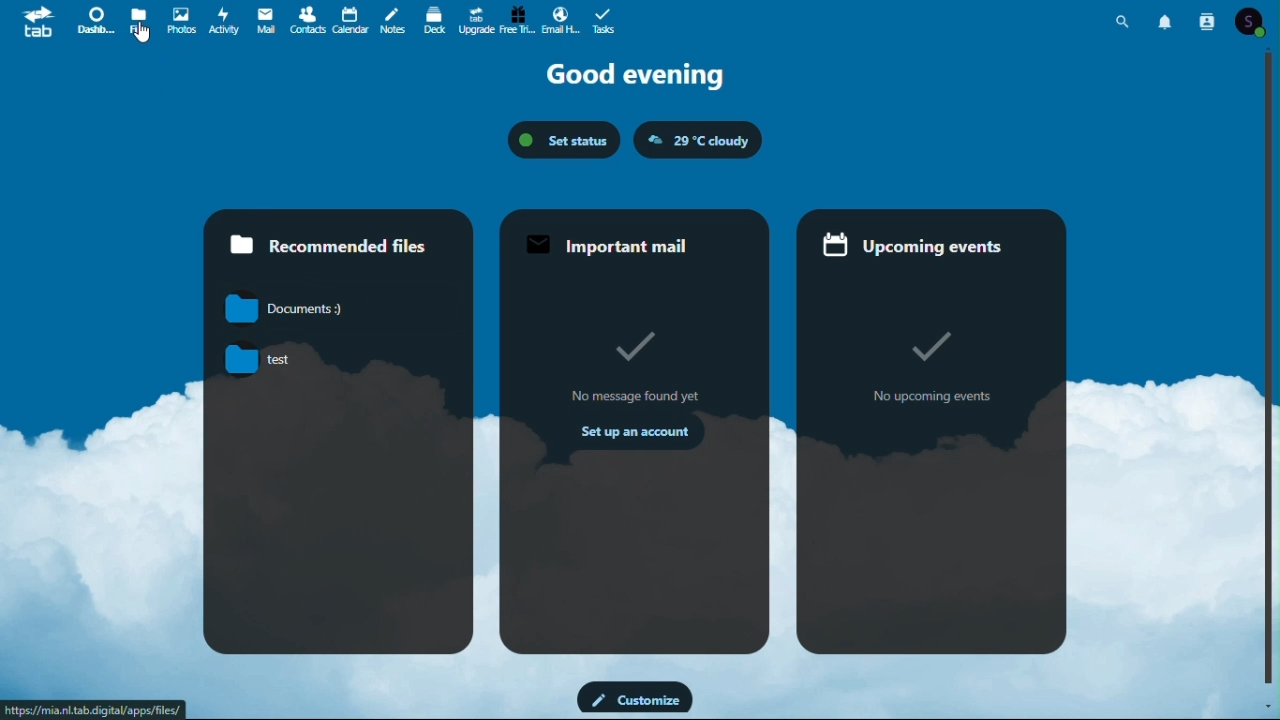 The height and width of the screenshot is (720, 1280). Describe the element at coordinates (635, 431) in the screenshot. I see `Important mail` at that location.